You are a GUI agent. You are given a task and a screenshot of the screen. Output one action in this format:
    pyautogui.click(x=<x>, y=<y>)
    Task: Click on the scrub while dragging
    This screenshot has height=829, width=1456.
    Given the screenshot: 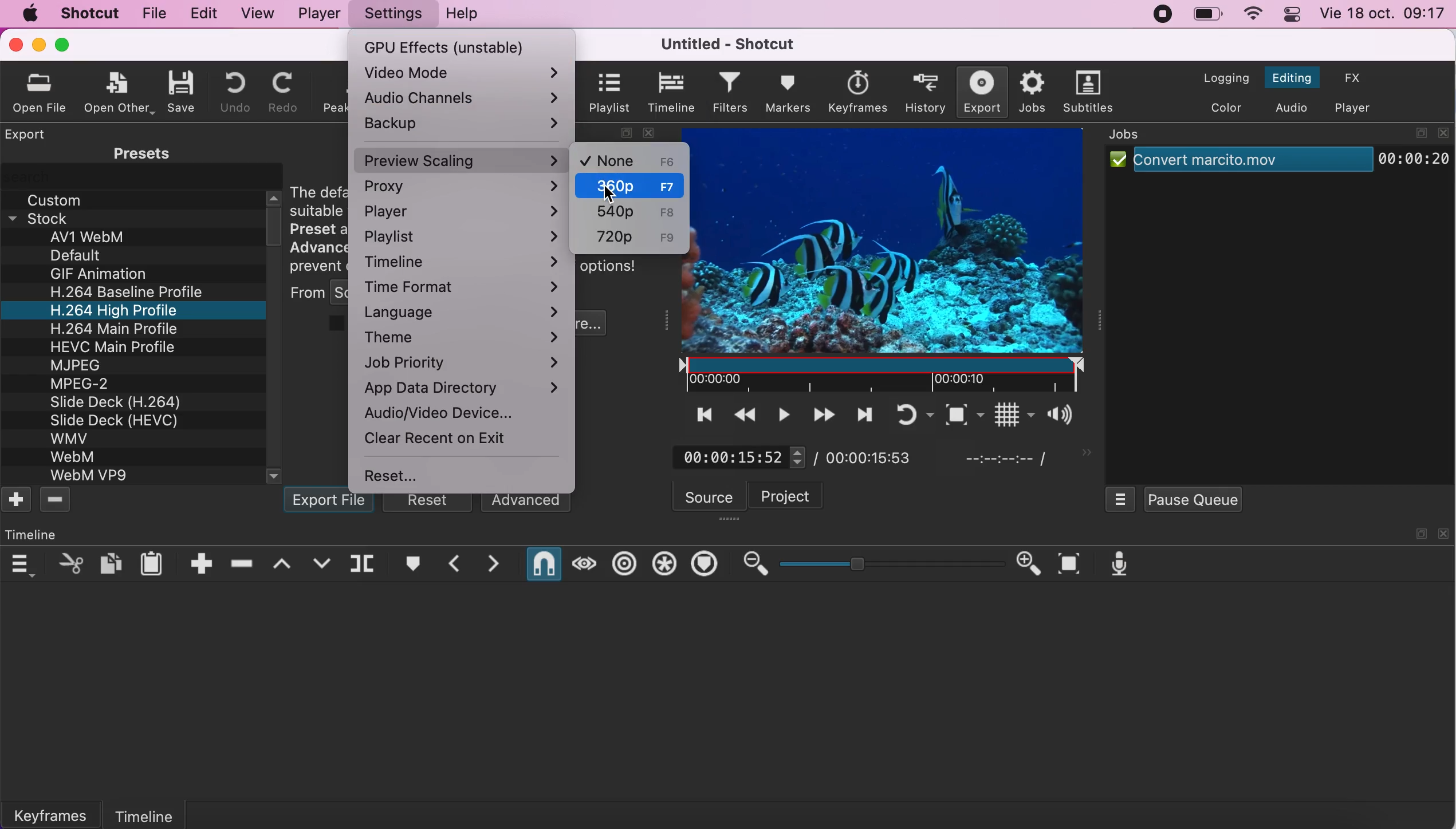 What is the action you would take?
    pyautogui.click(x=583, y=563)
    